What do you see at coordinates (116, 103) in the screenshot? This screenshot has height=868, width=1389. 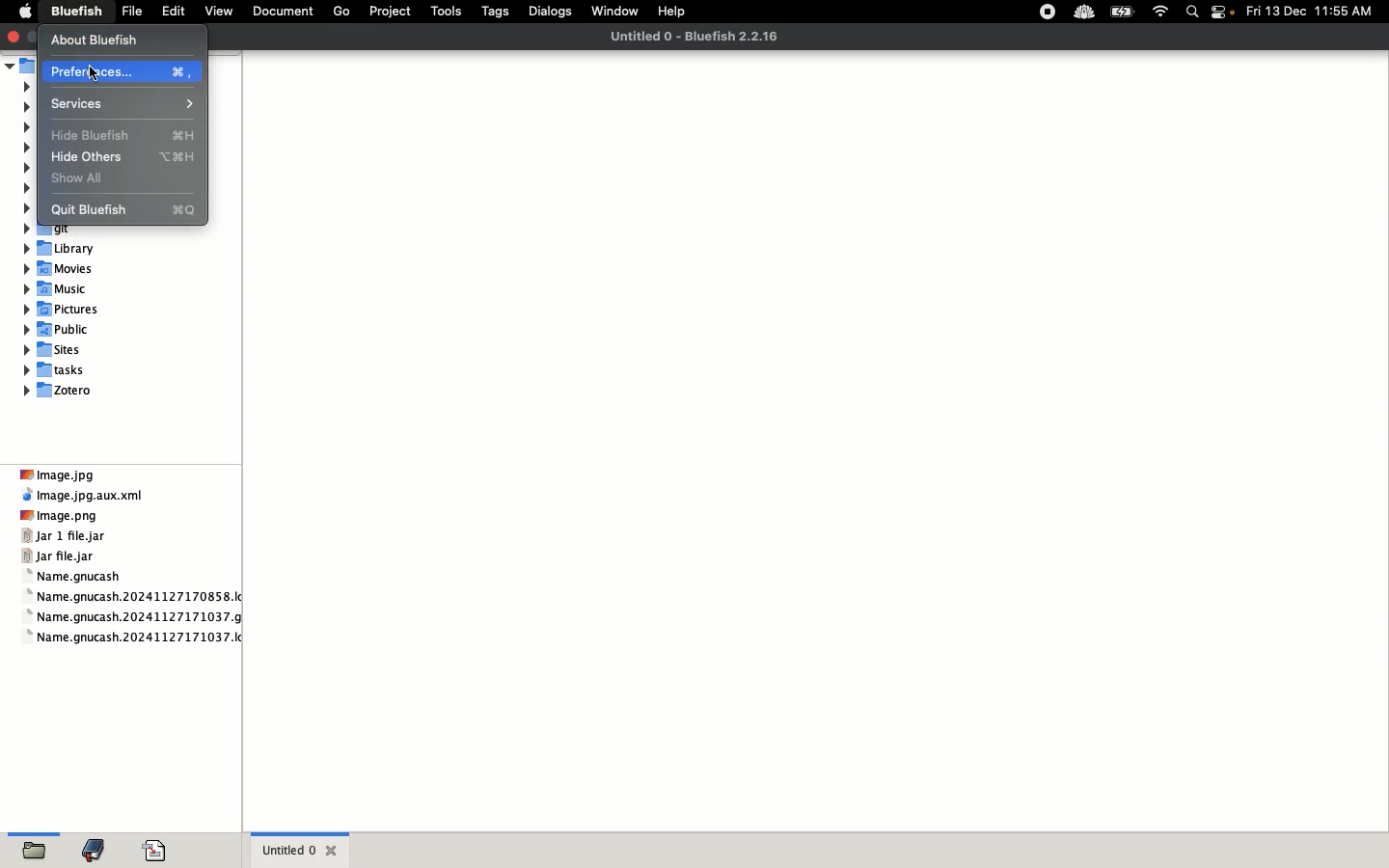 I see `service` at bounding box center [116, 103].